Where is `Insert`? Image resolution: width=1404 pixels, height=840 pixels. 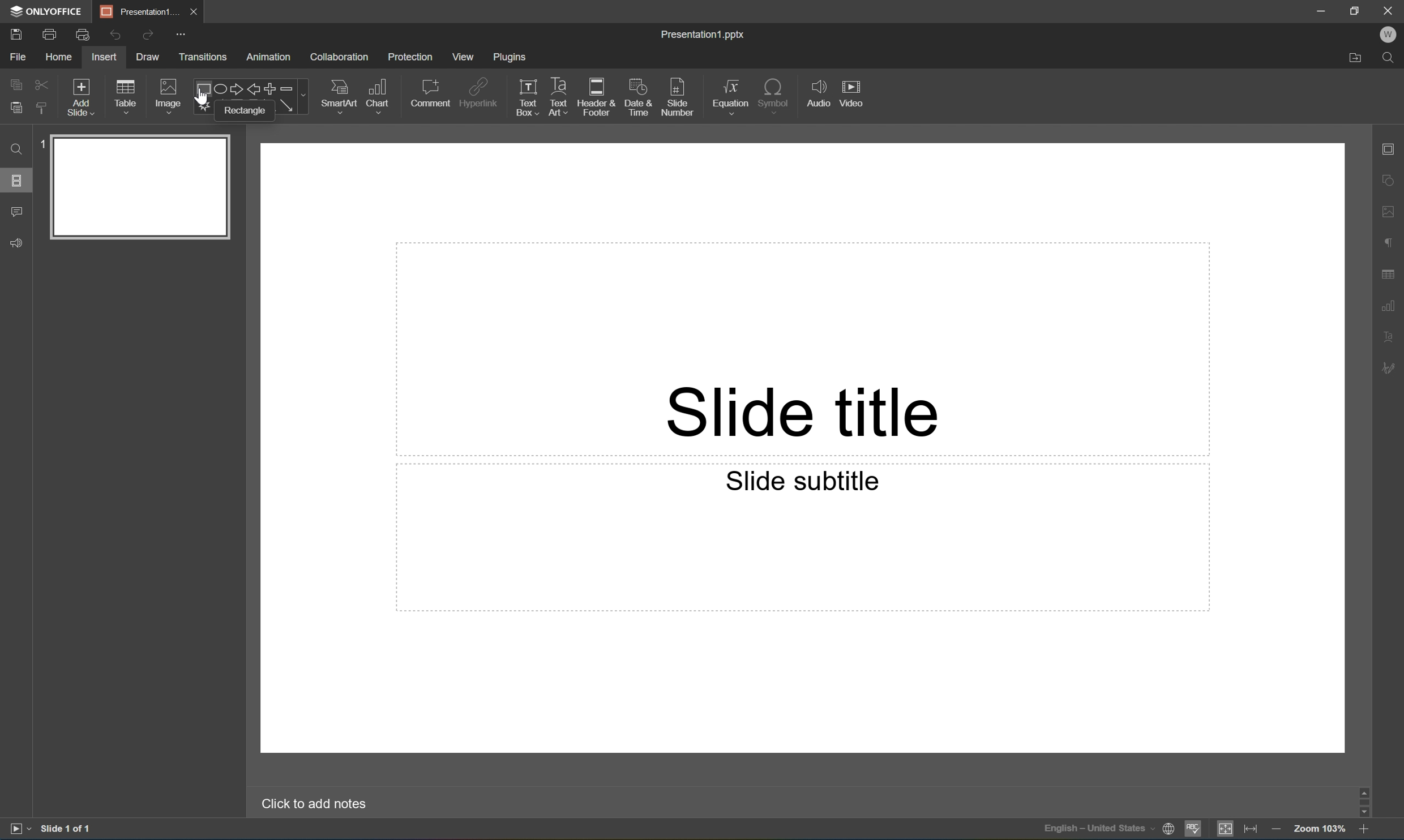 Insert is located at coordinates (104, 57).